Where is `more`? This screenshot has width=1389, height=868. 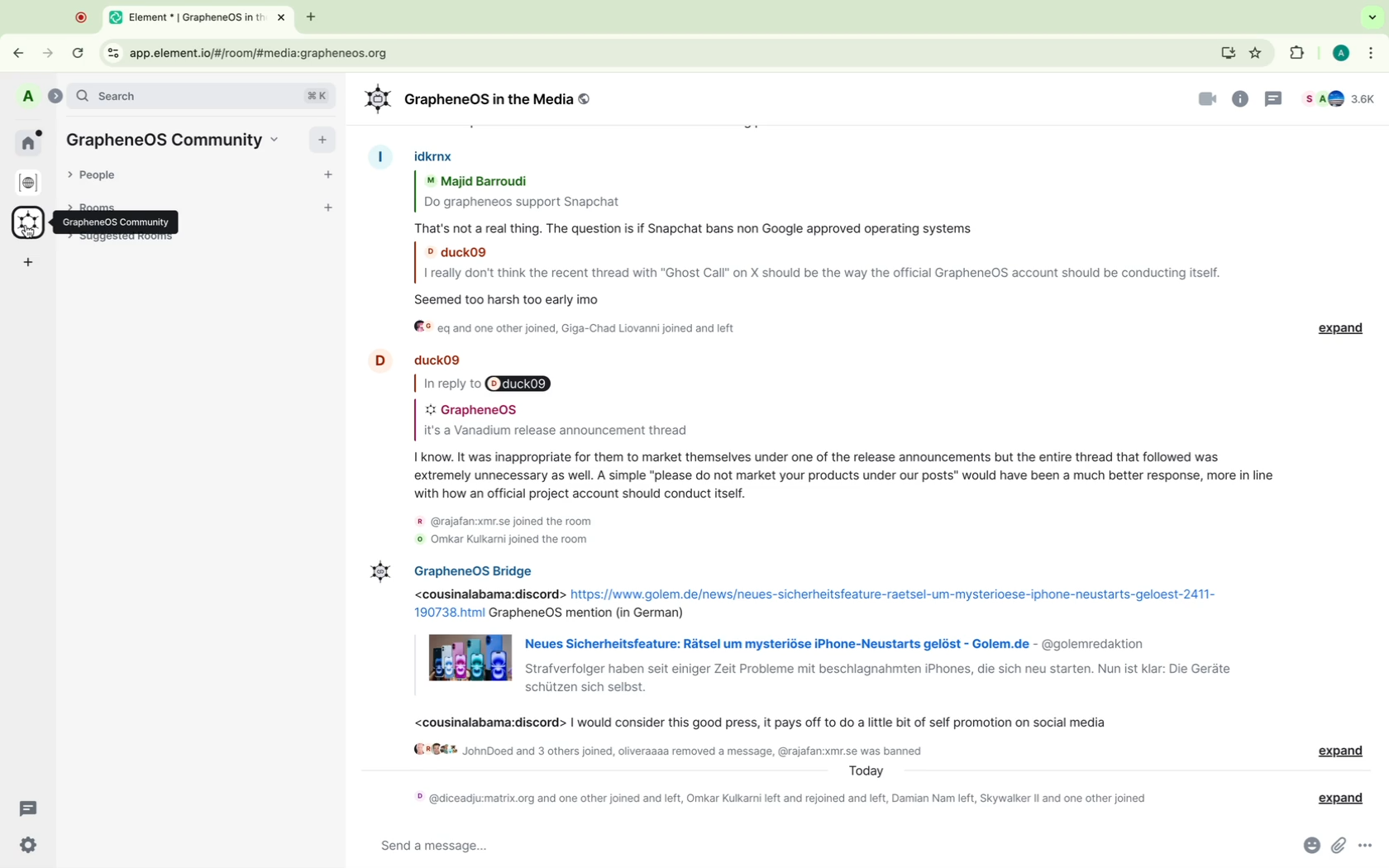
more is located at coordinates (29, 263).